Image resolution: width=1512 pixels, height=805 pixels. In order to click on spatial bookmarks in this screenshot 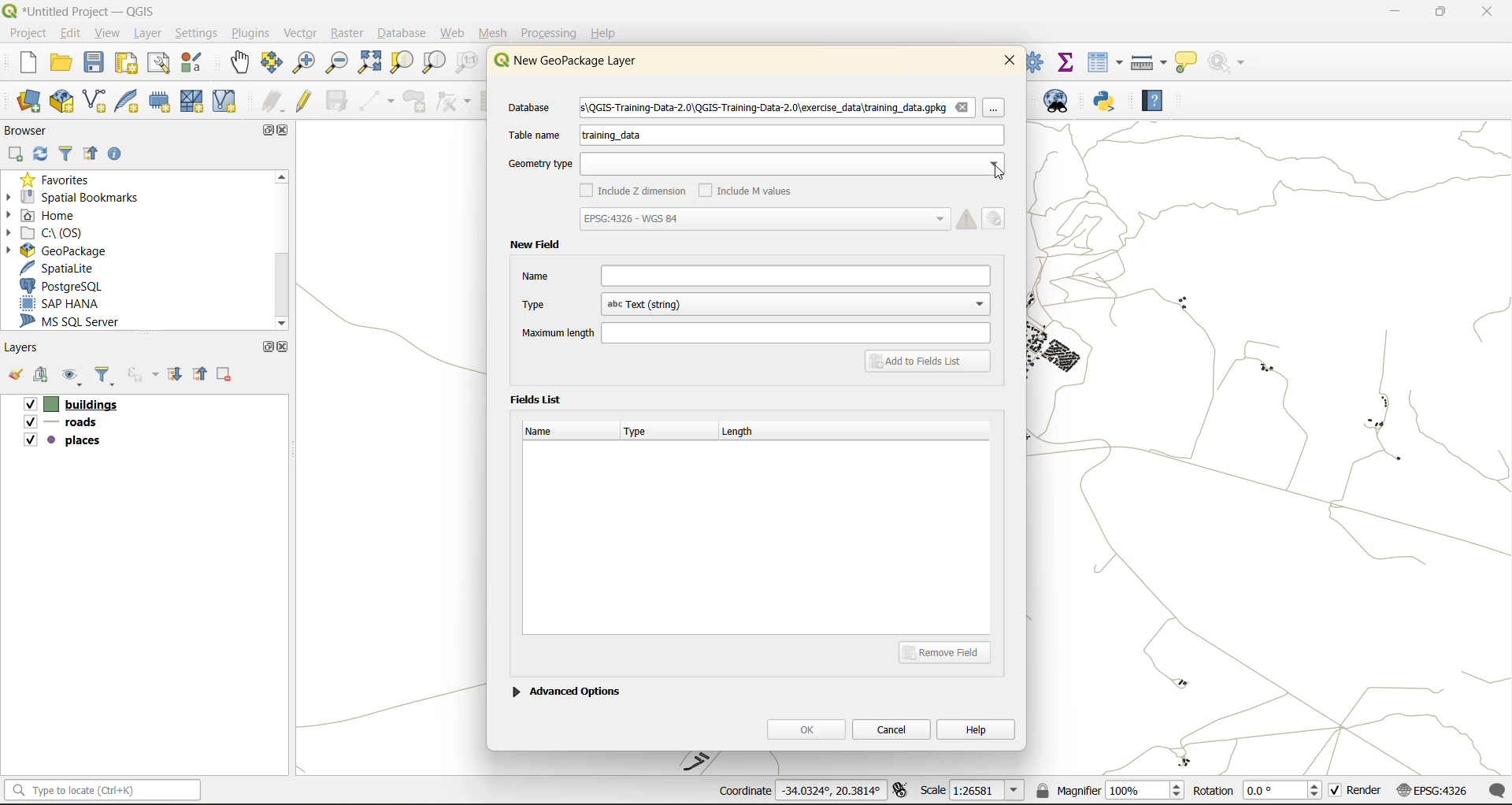, I will do `click(83, 197)`.